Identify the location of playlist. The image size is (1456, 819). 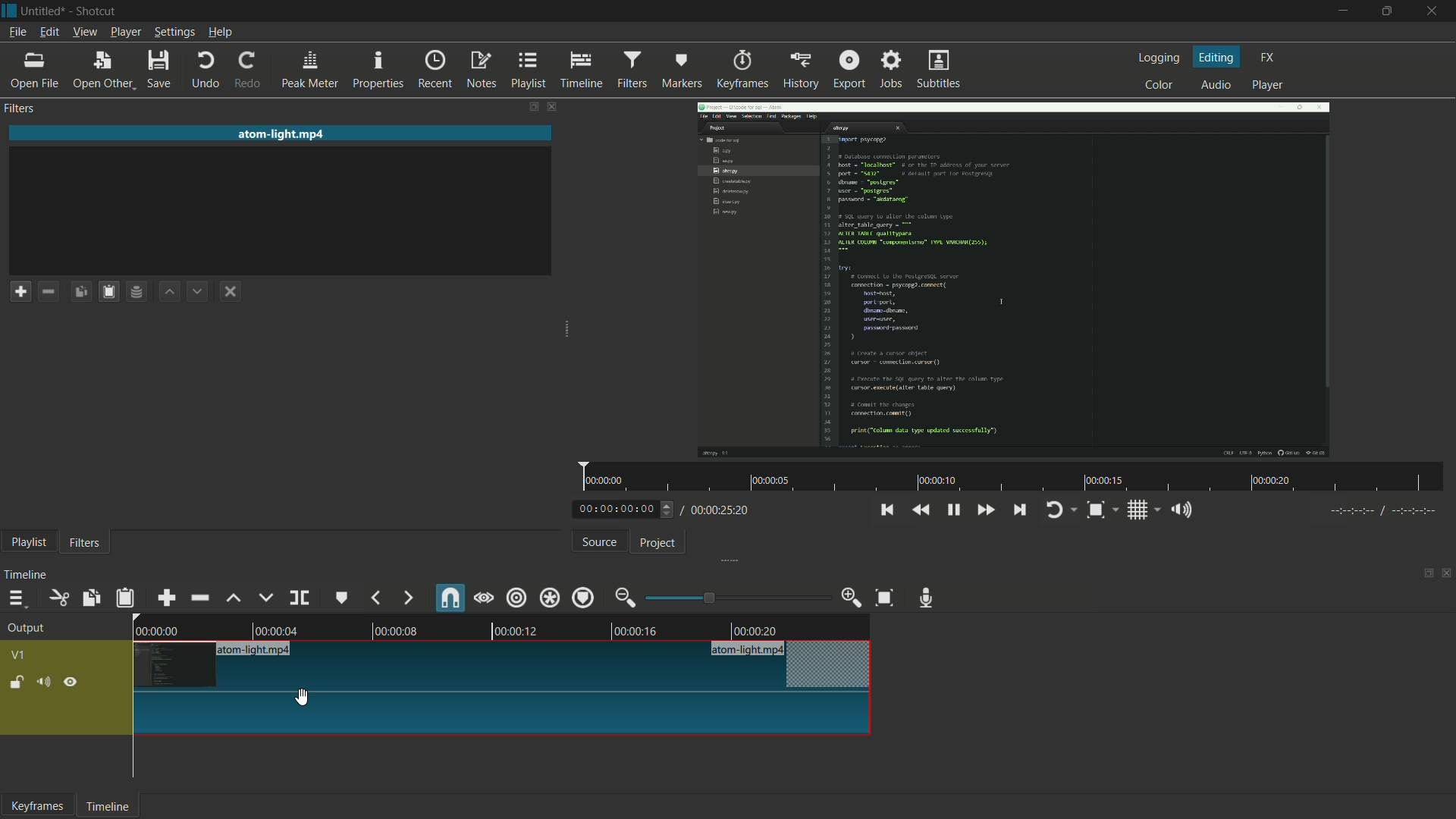
(527, 71).